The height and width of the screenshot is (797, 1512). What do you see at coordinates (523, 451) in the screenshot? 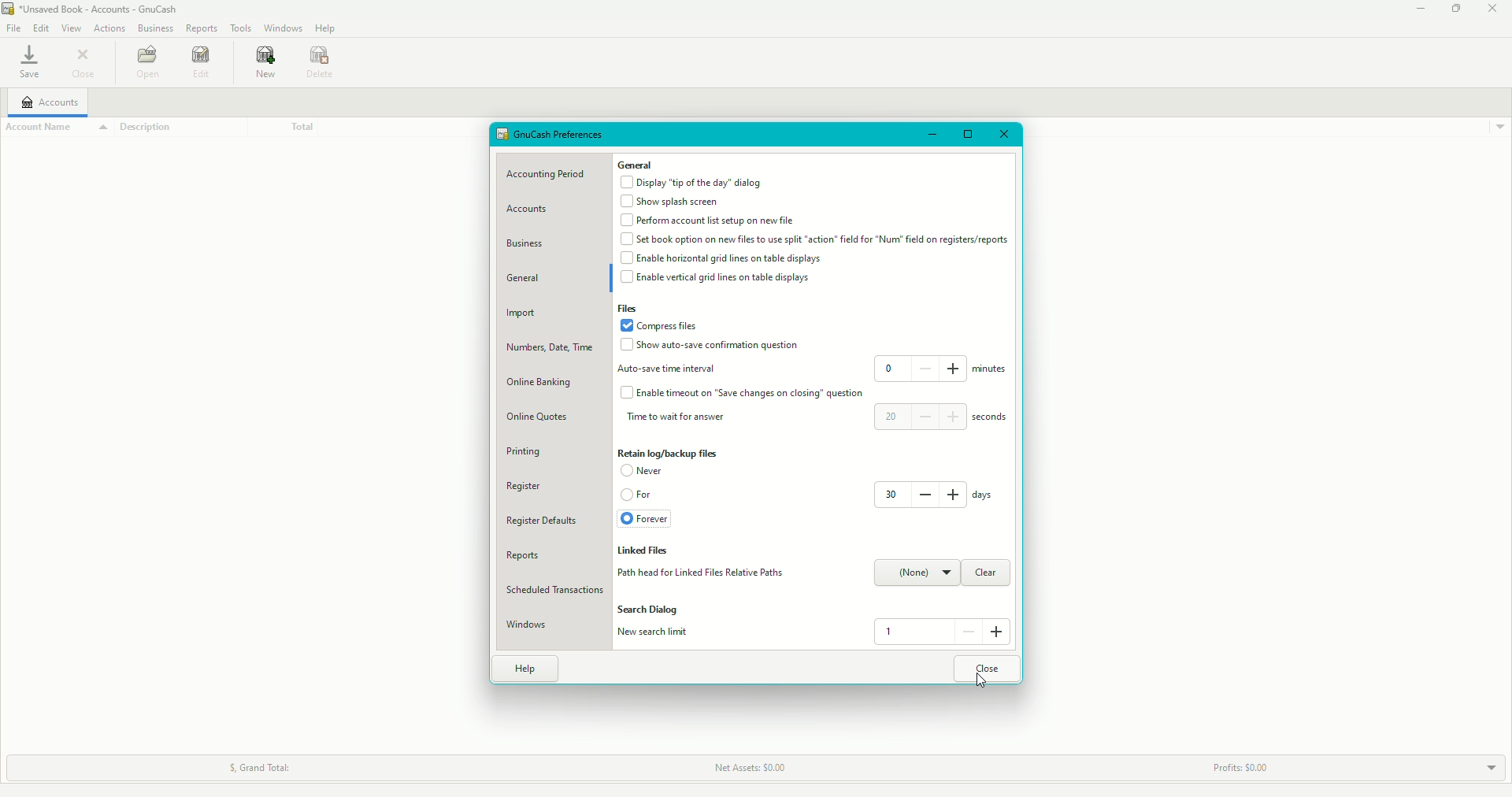
I see `Printing` at bounding box center [523, 451].